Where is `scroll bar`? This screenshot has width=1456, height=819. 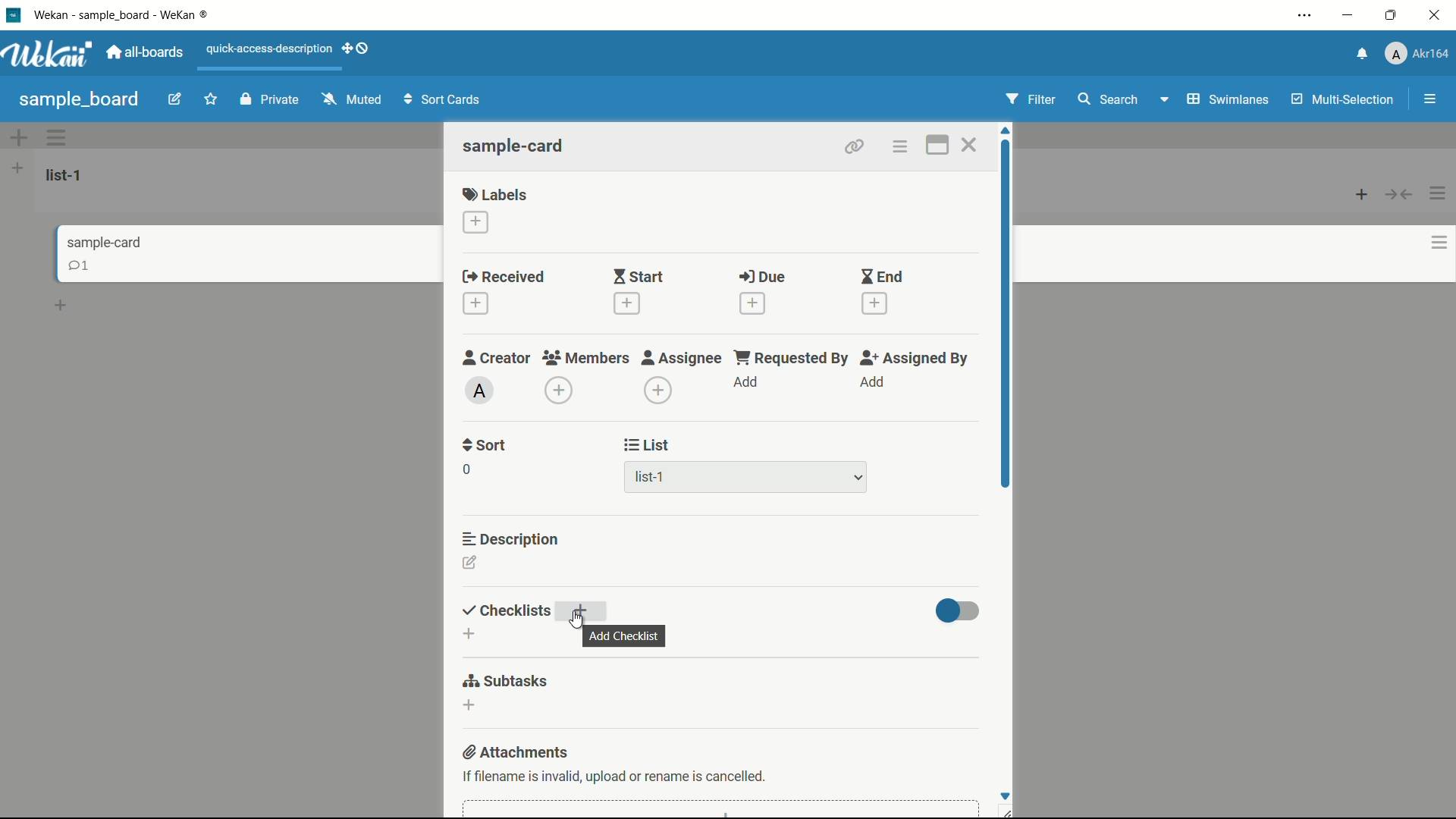
scroll bar is located at coordinates (1009, 316).